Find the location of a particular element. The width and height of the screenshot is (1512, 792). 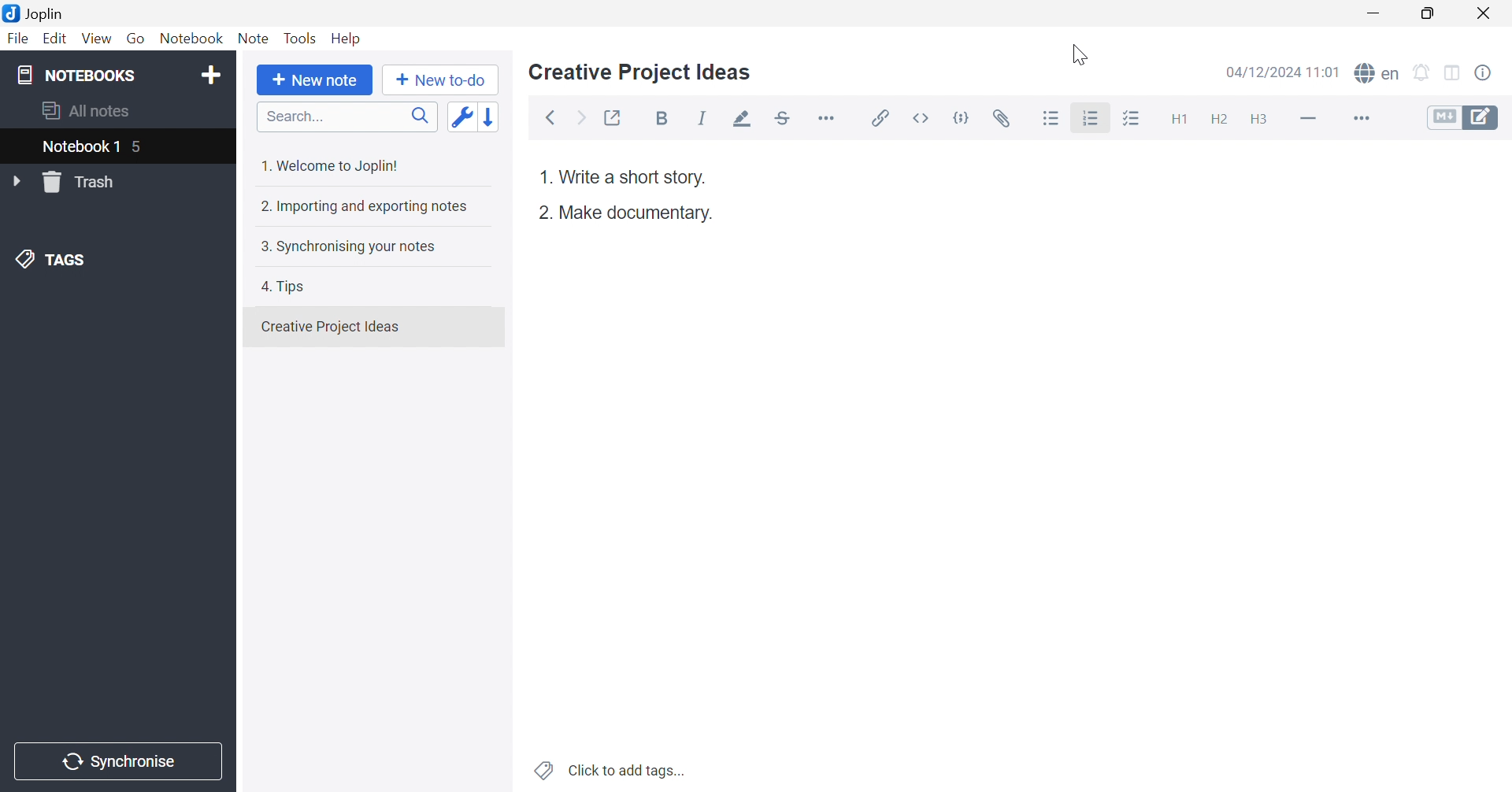

Heading 1 is located at coordinates (1179, 121).